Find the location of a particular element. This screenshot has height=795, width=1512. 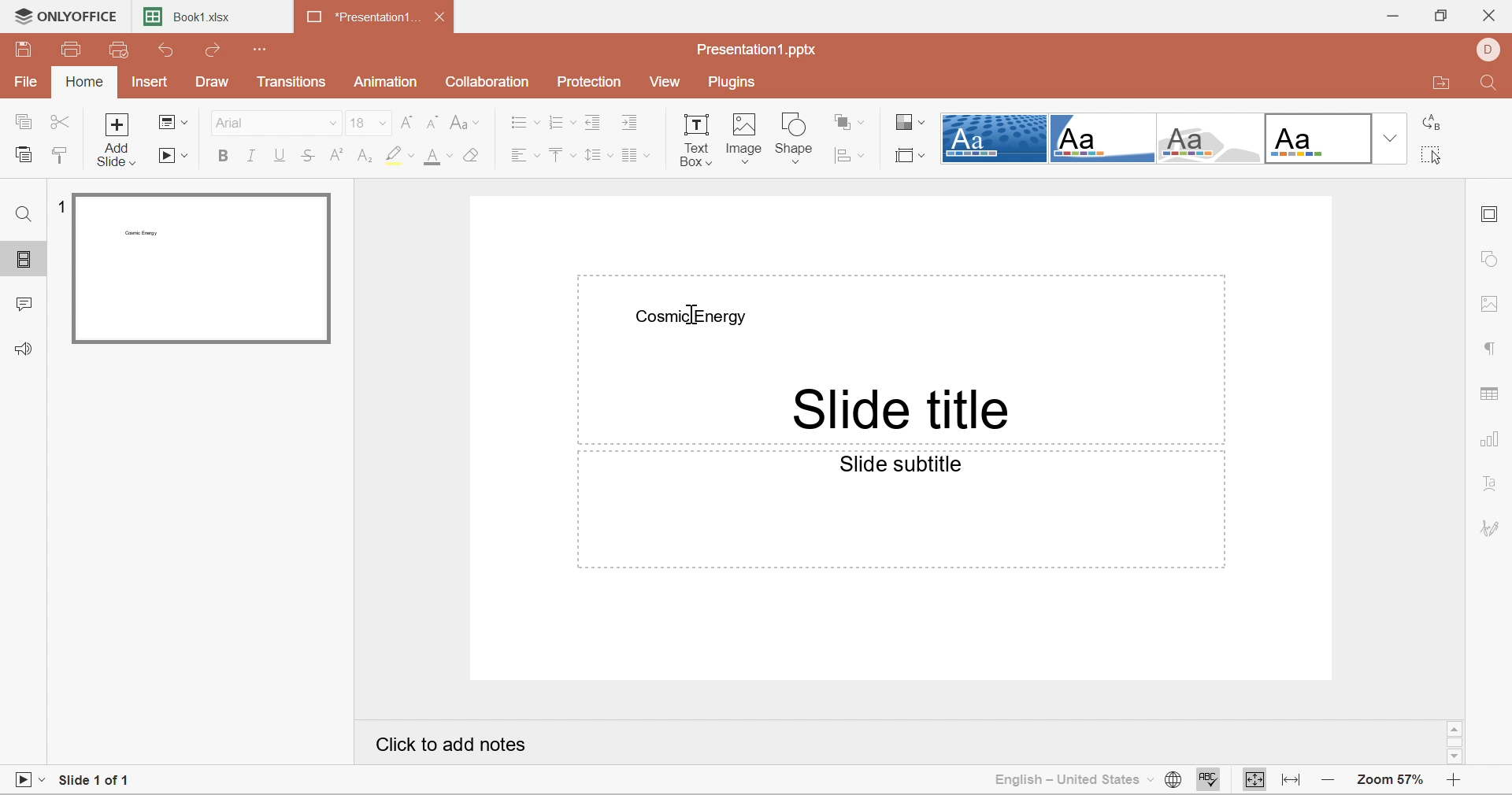

Animation is located at coordinates (385, 82).